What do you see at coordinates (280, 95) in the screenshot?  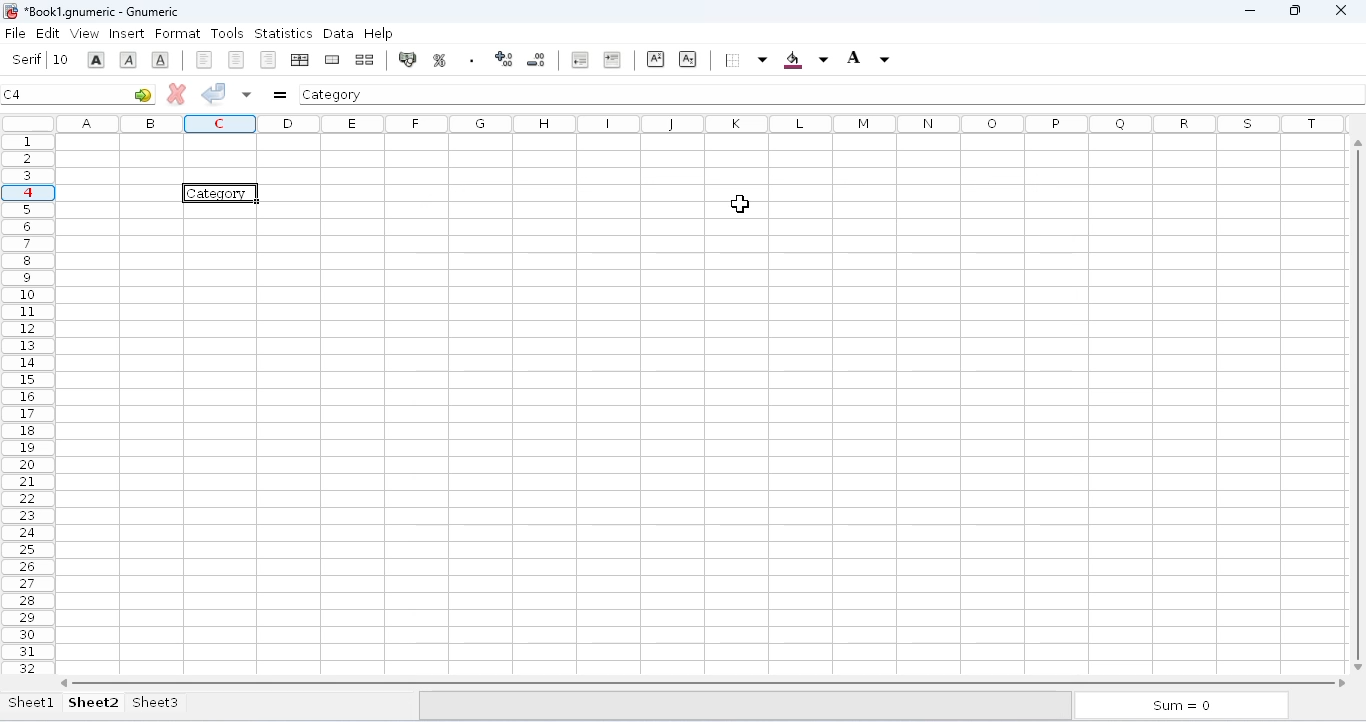 I see `enter formula` at bounding box center [280, 95].